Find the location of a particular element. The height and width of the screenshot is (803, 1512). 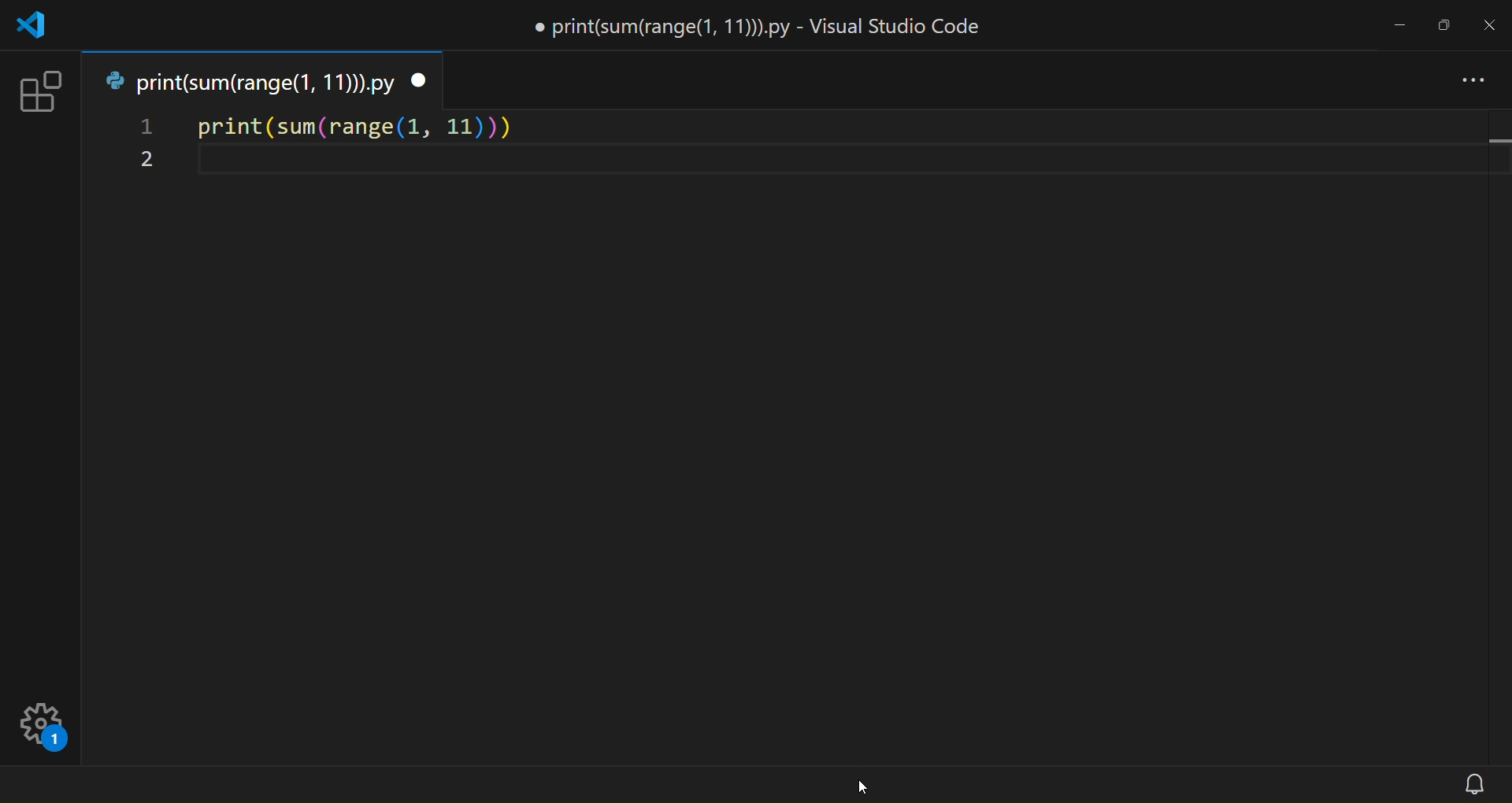

© print(sum(range(1, 11))).py - Visual Studio Code is located at coordinates (756, 28).